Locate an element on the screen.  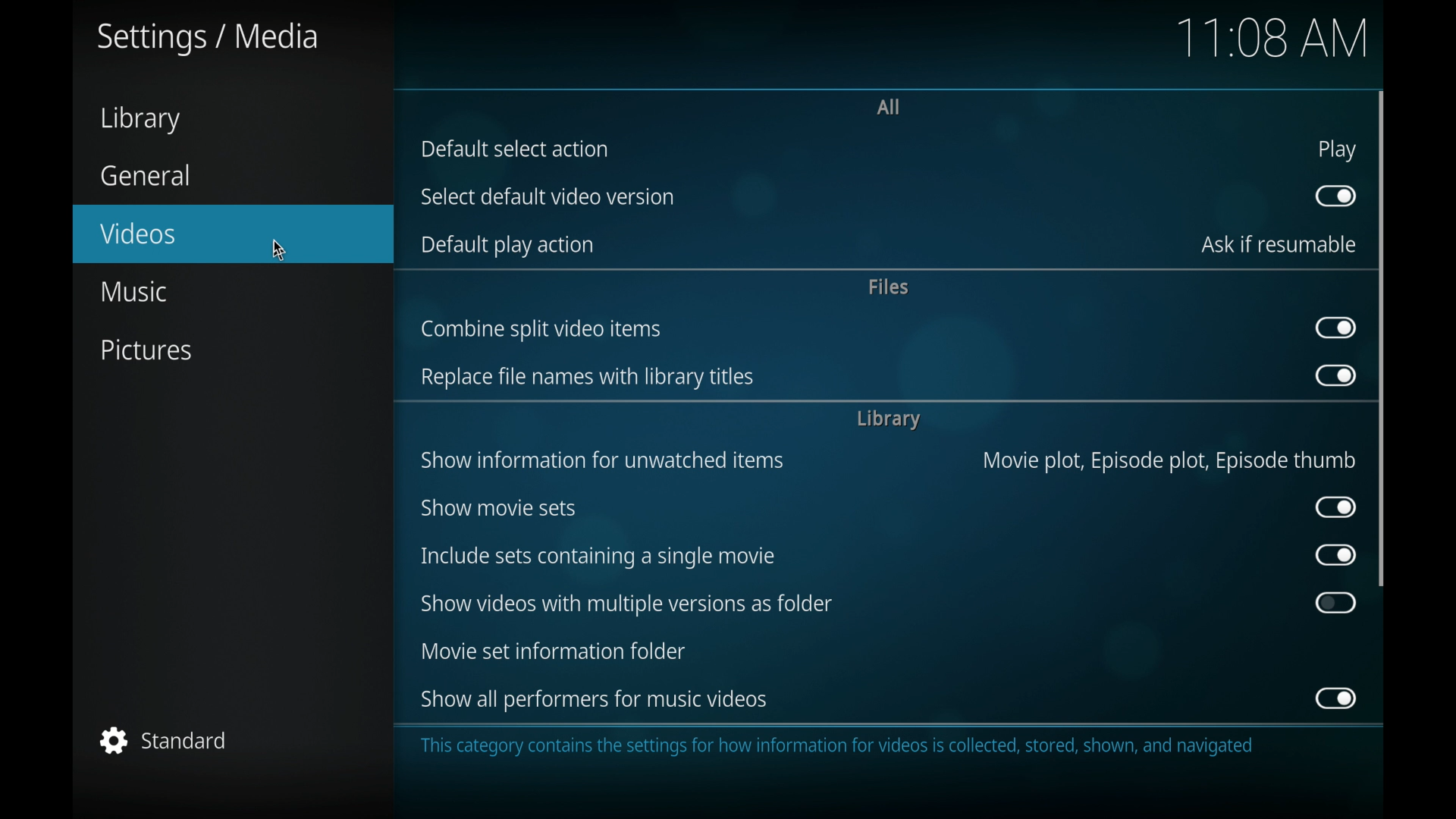
toggle button is located at coordinates (1335, 555).